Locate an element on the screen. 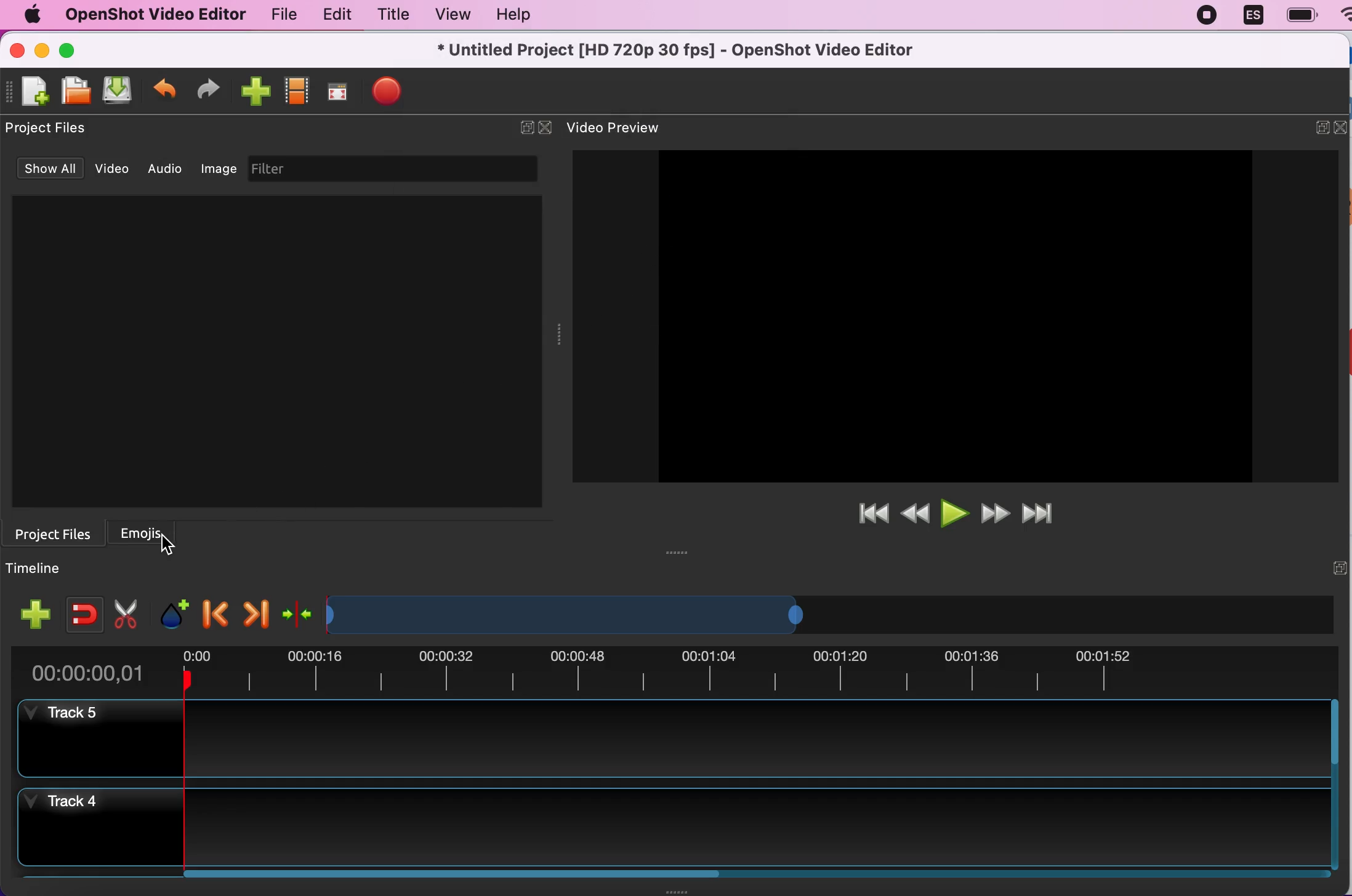 The height and width of the screenshot is (896, 1352). expand/hide is located at coordinates (1338, 567).